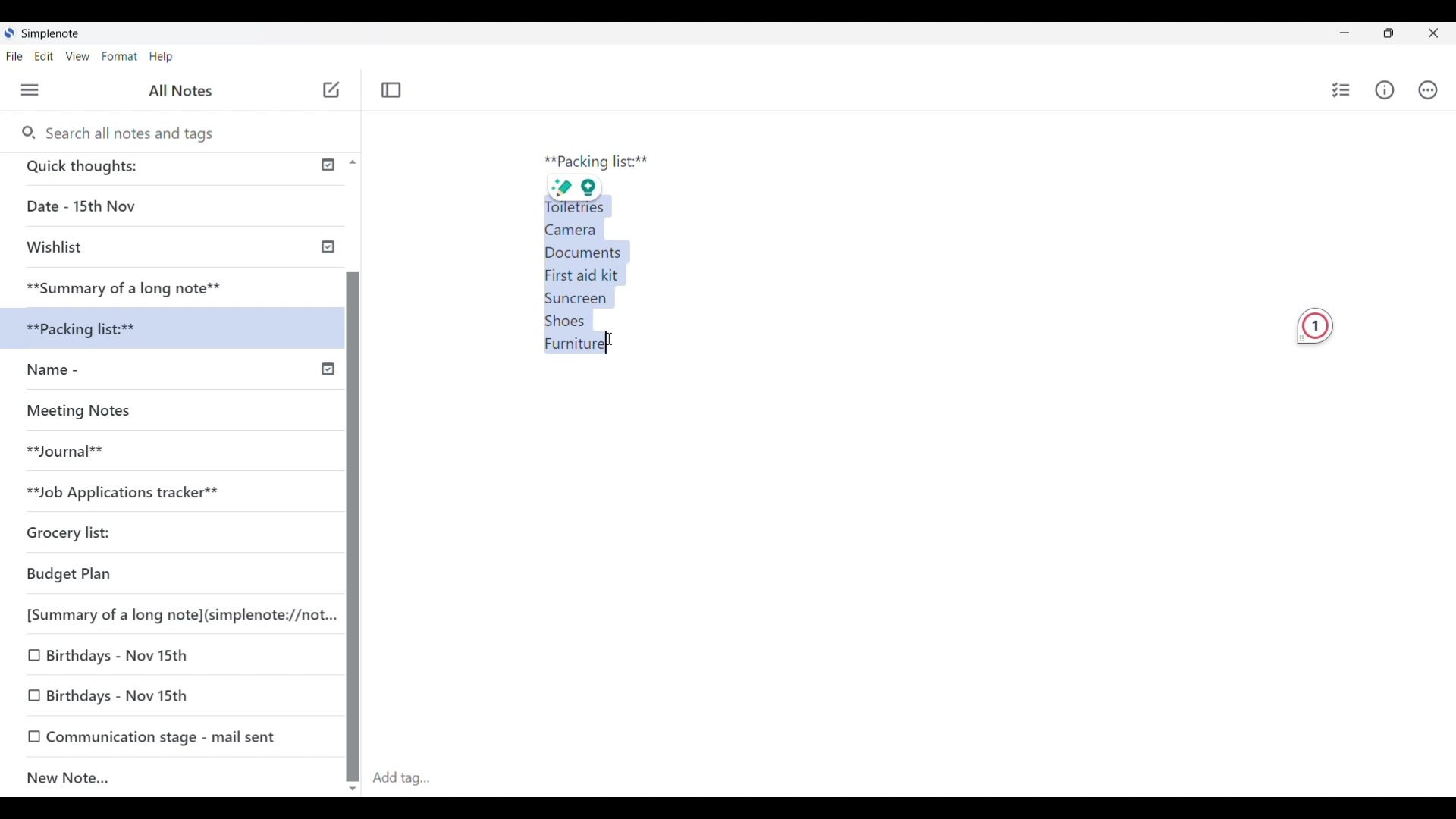 The image size is (1456, 819). I want to click on View menu, so click(78, 56).